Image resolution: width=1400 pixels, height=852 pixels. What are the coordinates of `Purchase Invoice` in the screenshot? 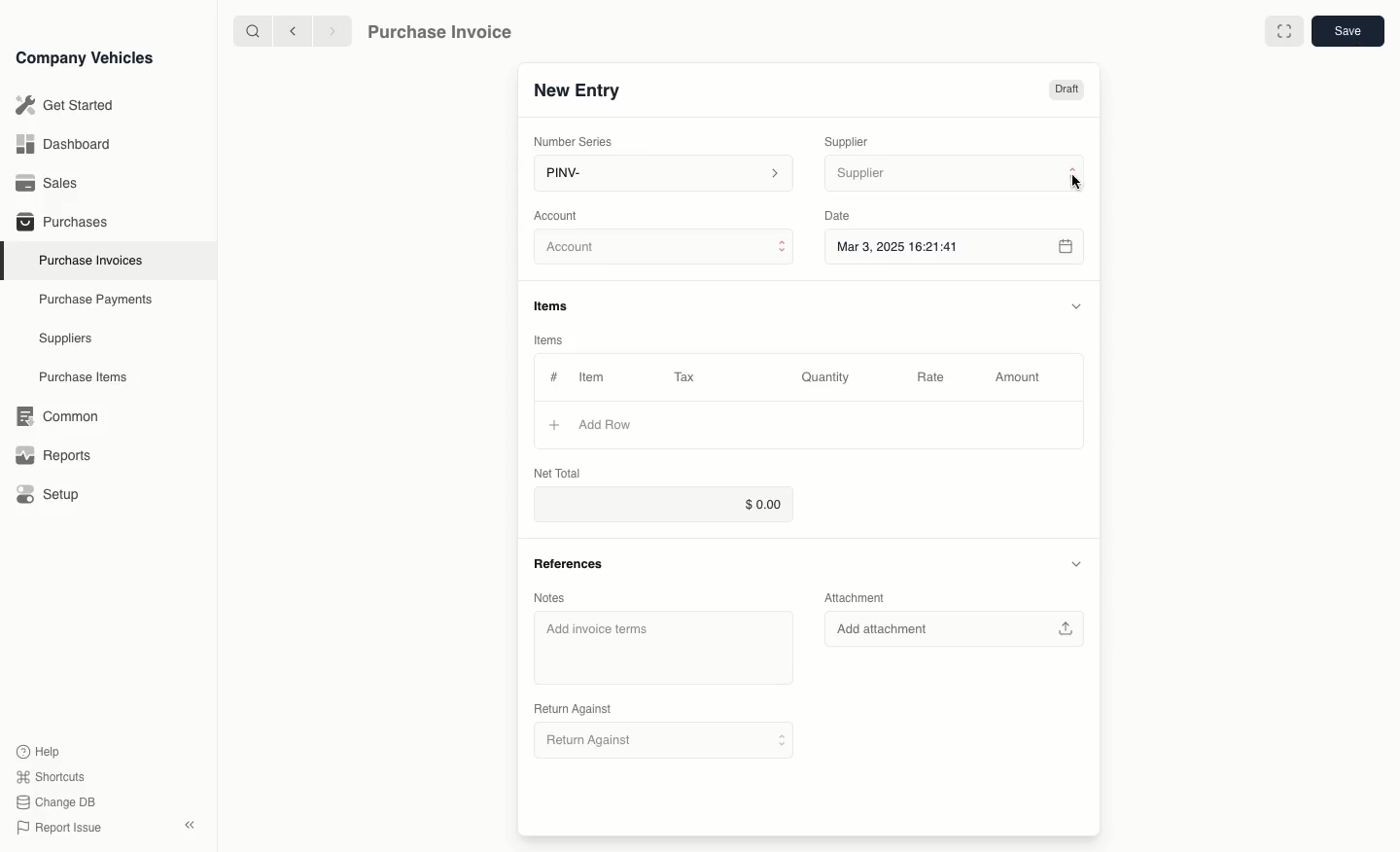 It's located at (453, 30).